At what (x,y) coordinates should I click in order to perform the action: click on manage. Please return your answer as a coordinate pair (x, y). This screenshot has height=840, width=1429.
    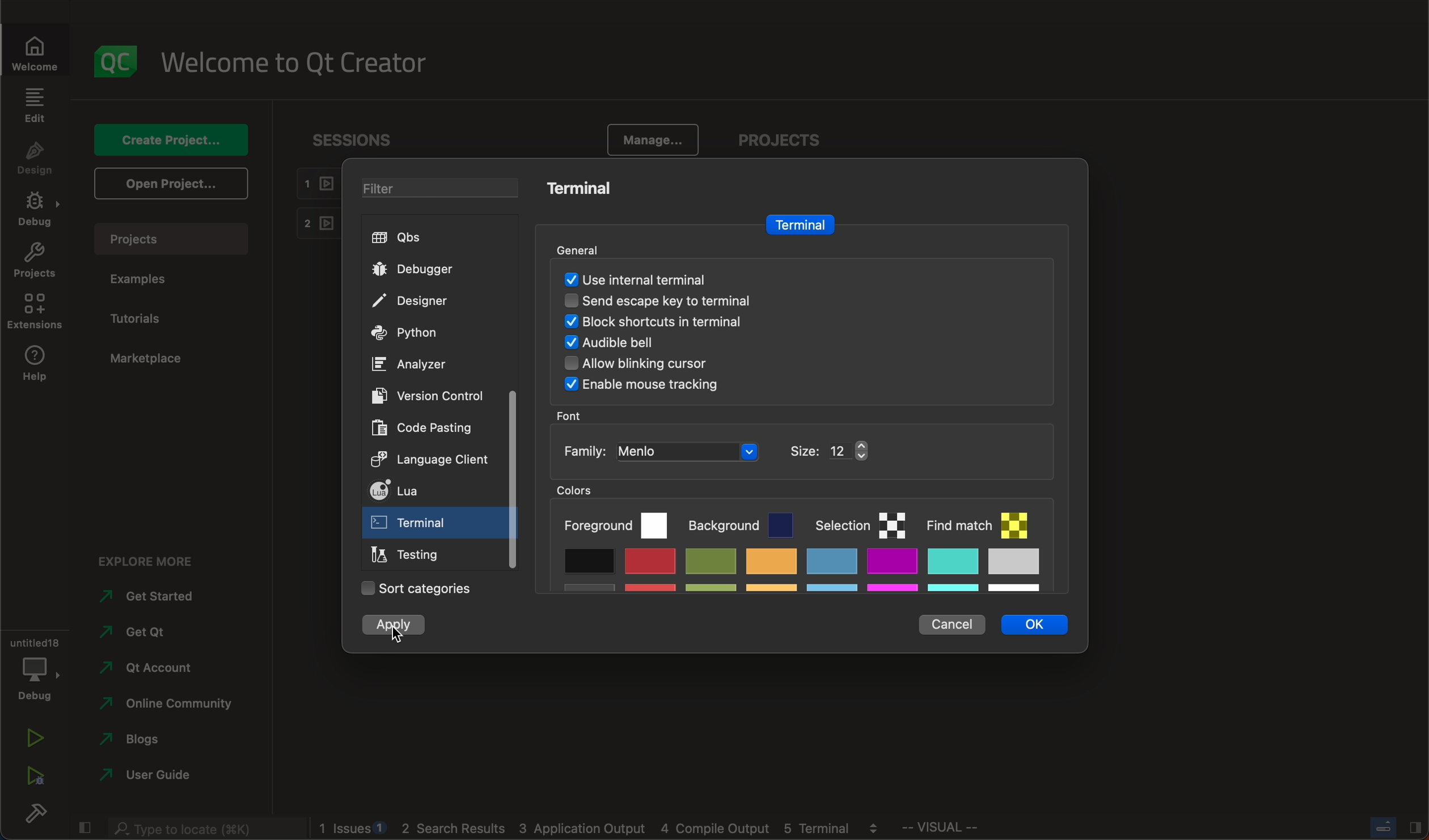
    Looking at the image, I should click on (653, 137).